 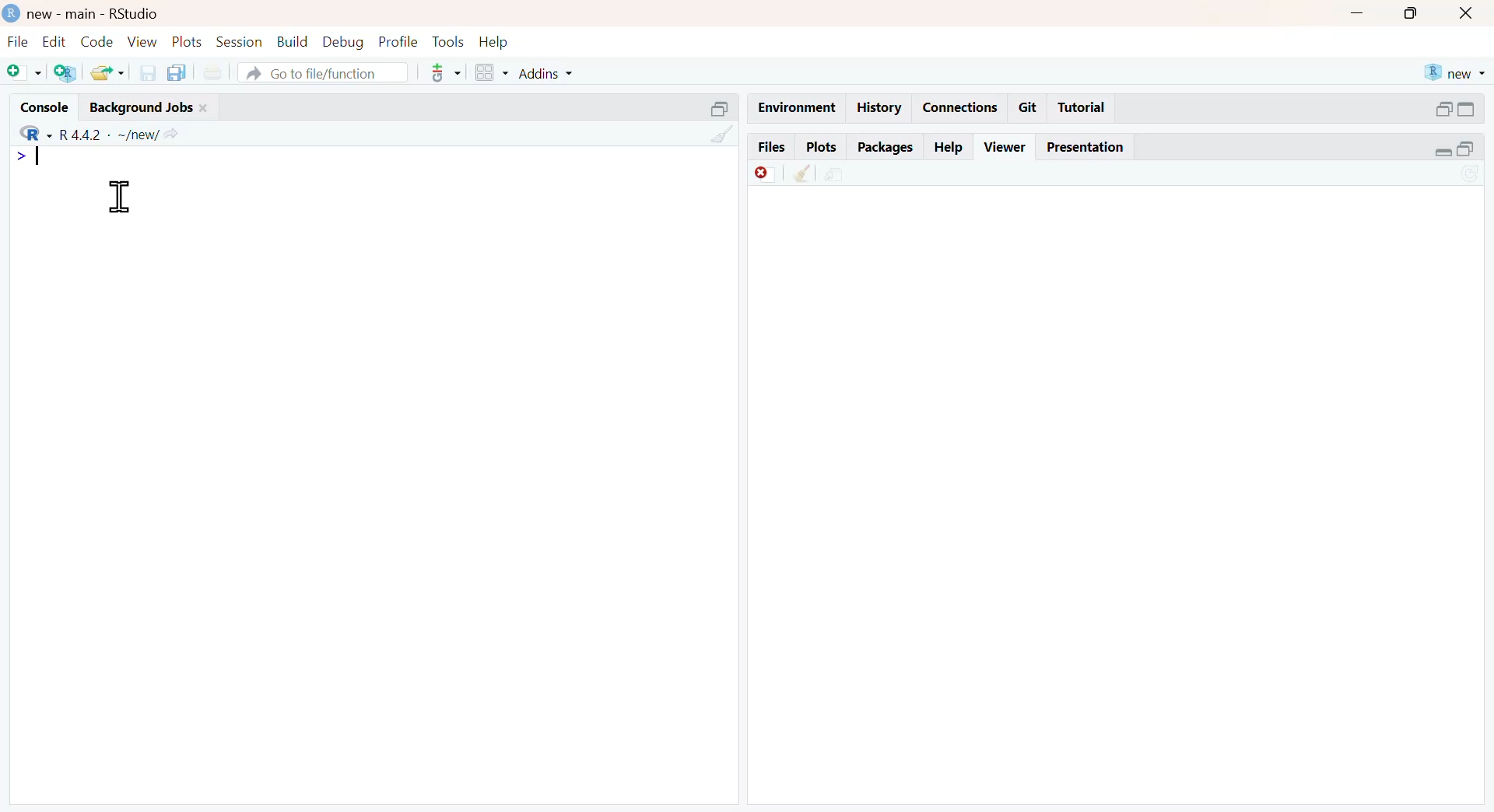 What do you see at coordinates (345, 42) in the screenshot?
I see `debug` at bounding box center [345, 42].